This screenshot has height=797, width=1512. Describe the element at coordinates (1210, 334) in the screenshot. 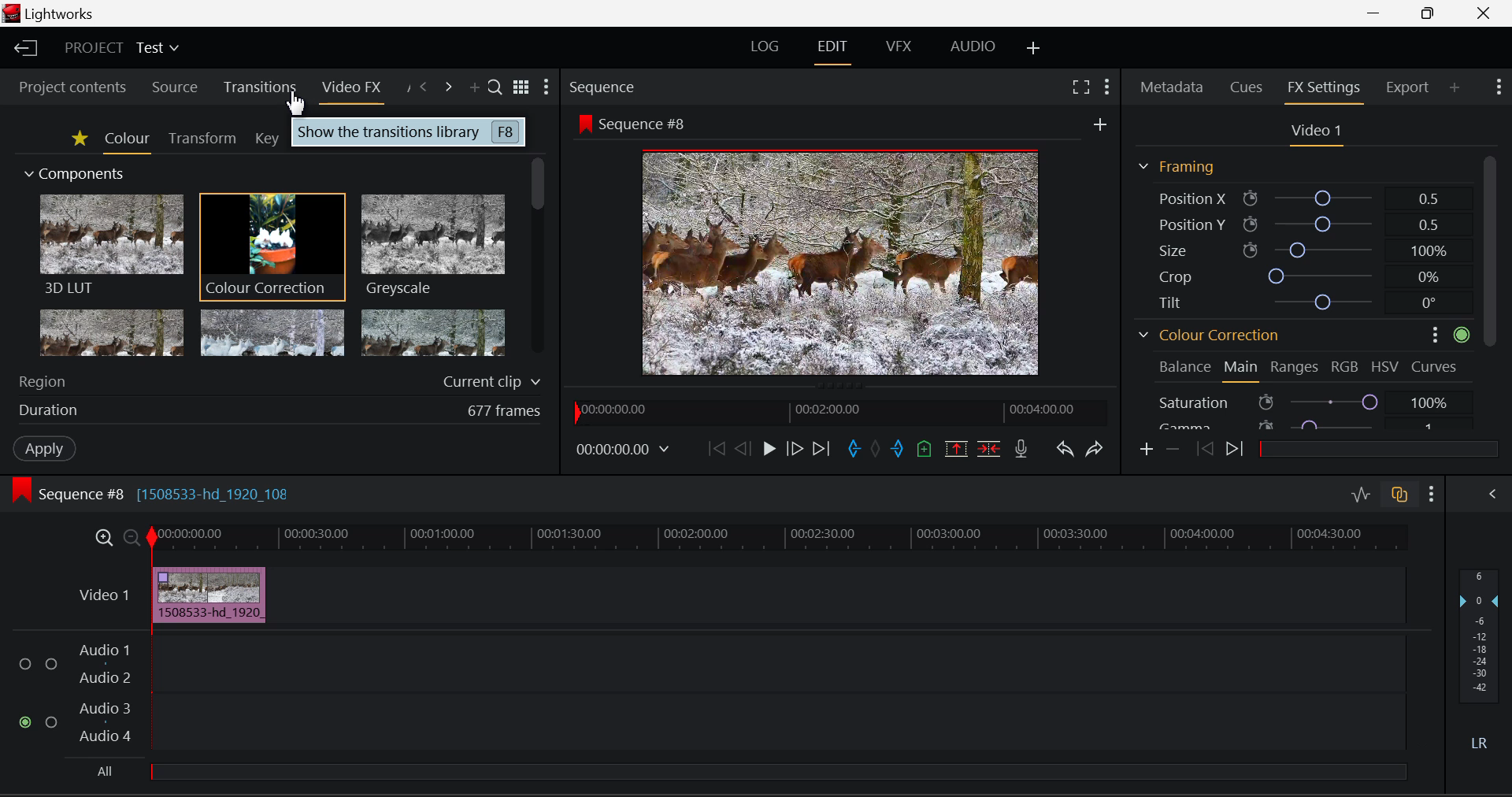

I see `Colour Correction` at that location.